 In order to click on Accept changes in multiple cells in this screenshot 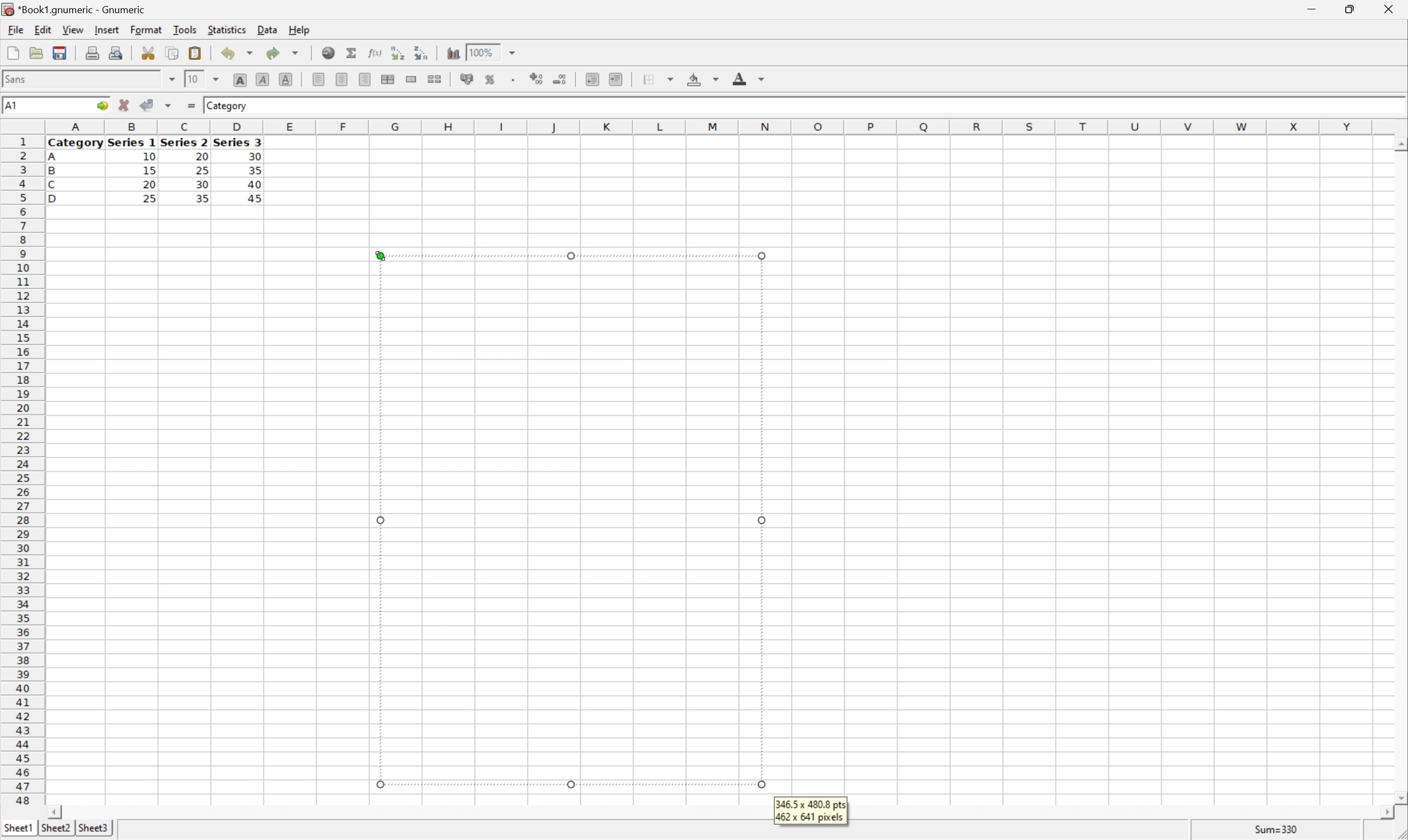, I will do `click(168, 105)`.